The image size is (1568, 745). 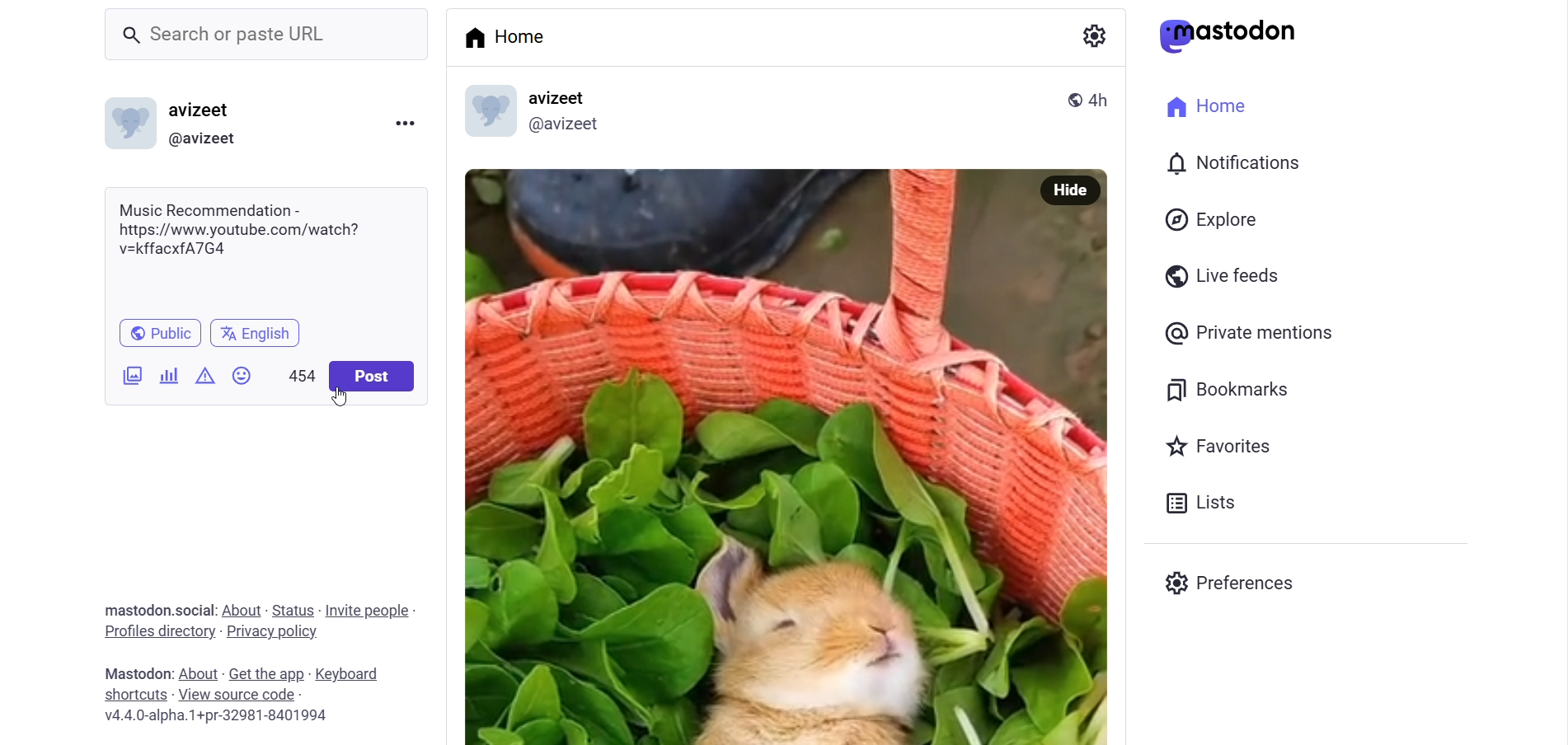 I want to click on Add Image, so click(x=132, y=374).